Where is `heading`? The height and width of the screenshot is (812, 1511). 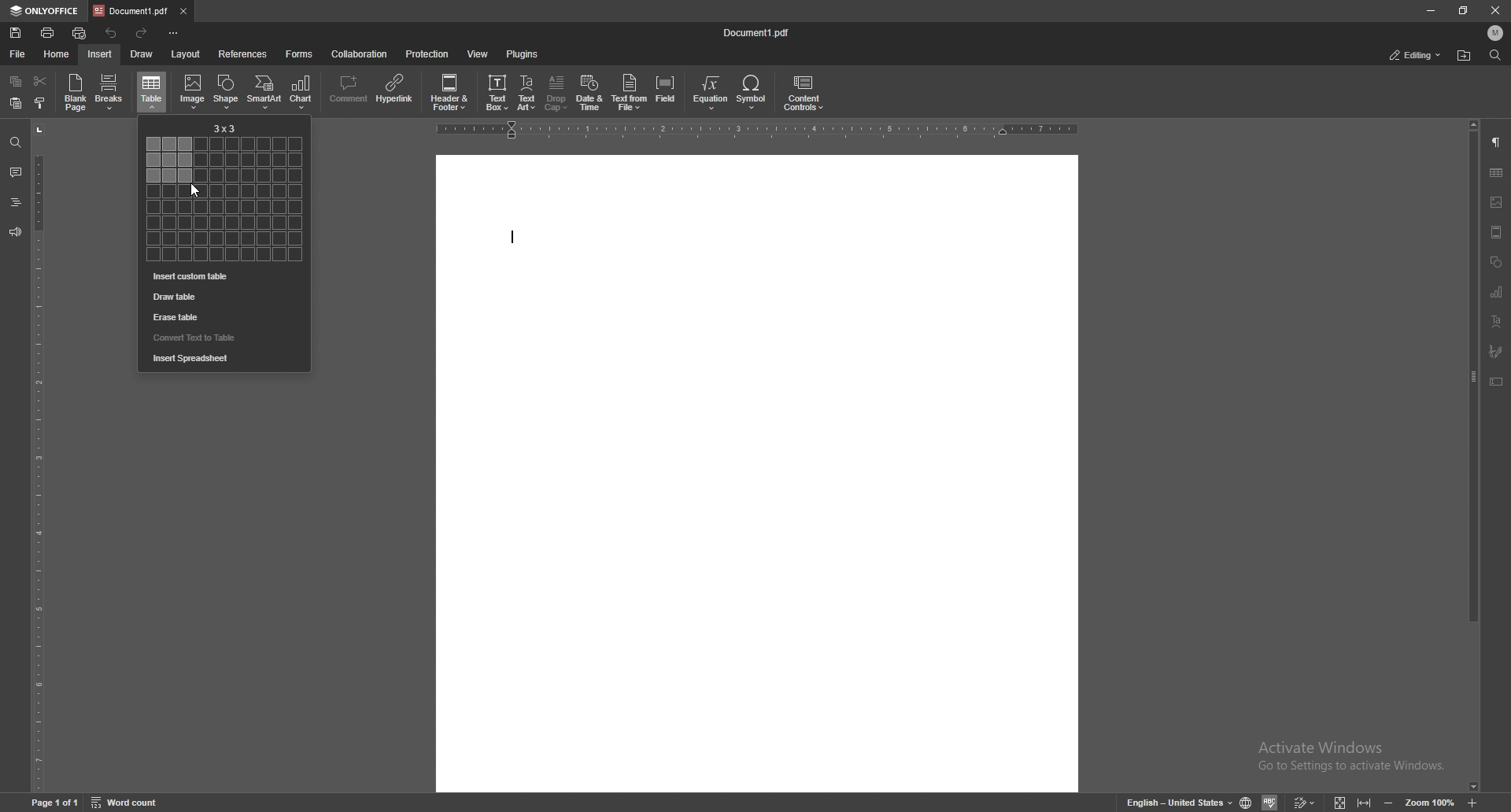 heading is located at coordinates (15, 202).